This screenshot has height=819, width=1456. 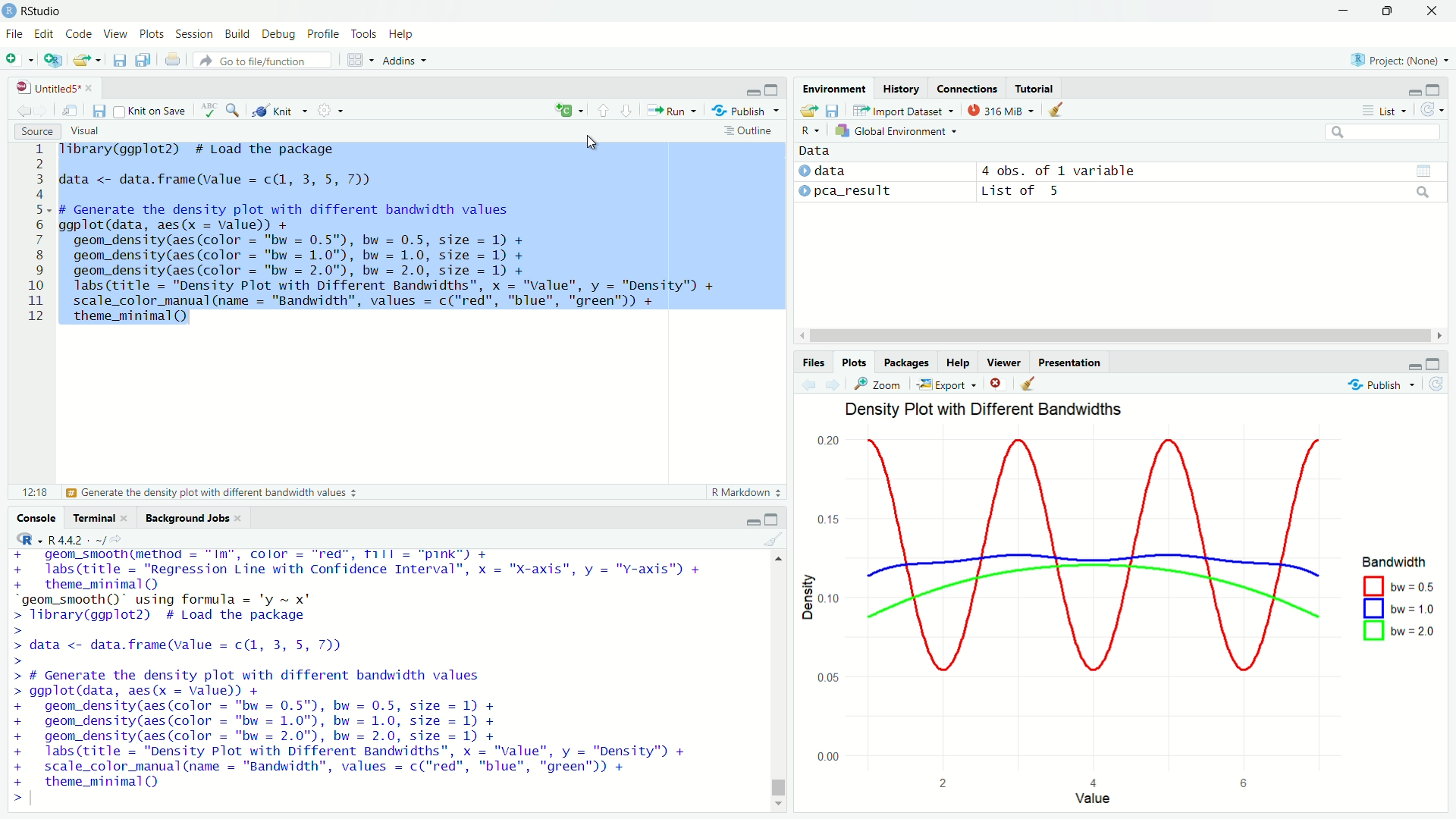 I want to click on Profile, so click(x=323, y=33).